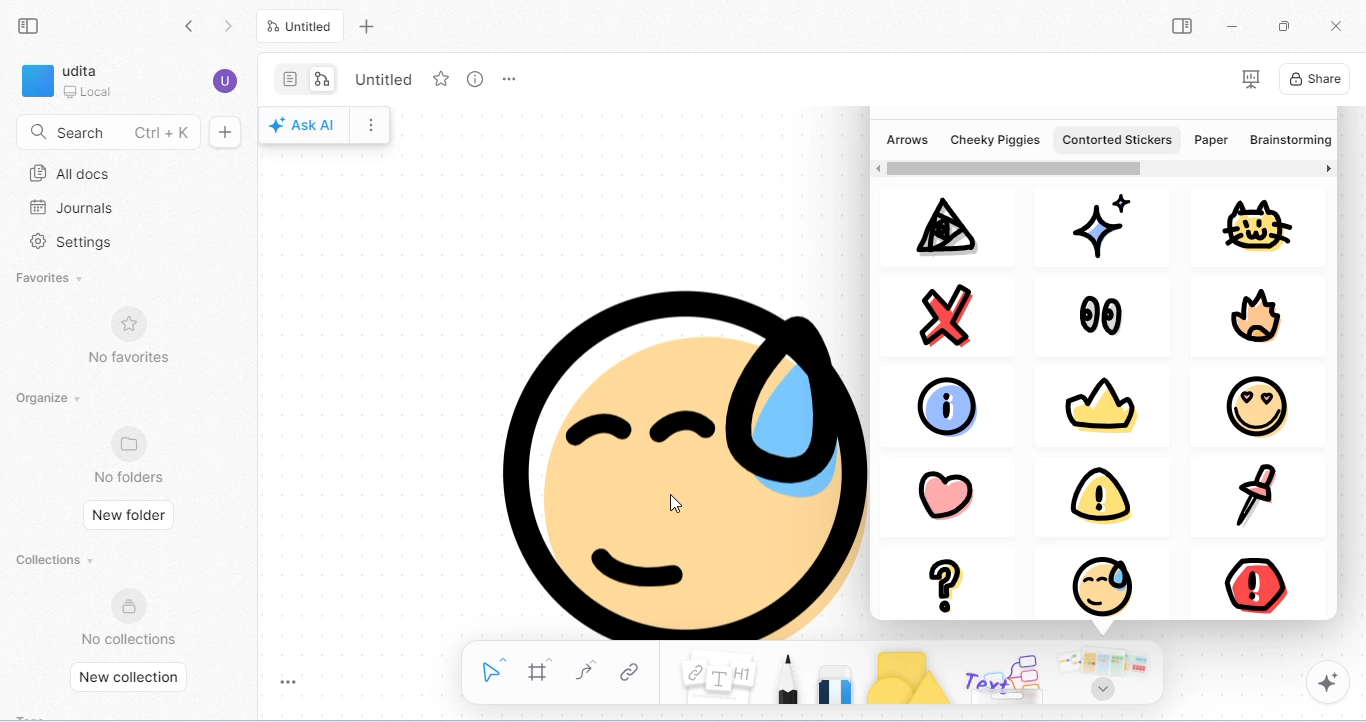 The image size is (1366, 722). Describe the element at coordinates (1097, 400) in the screenshot. I see `king` at that location.